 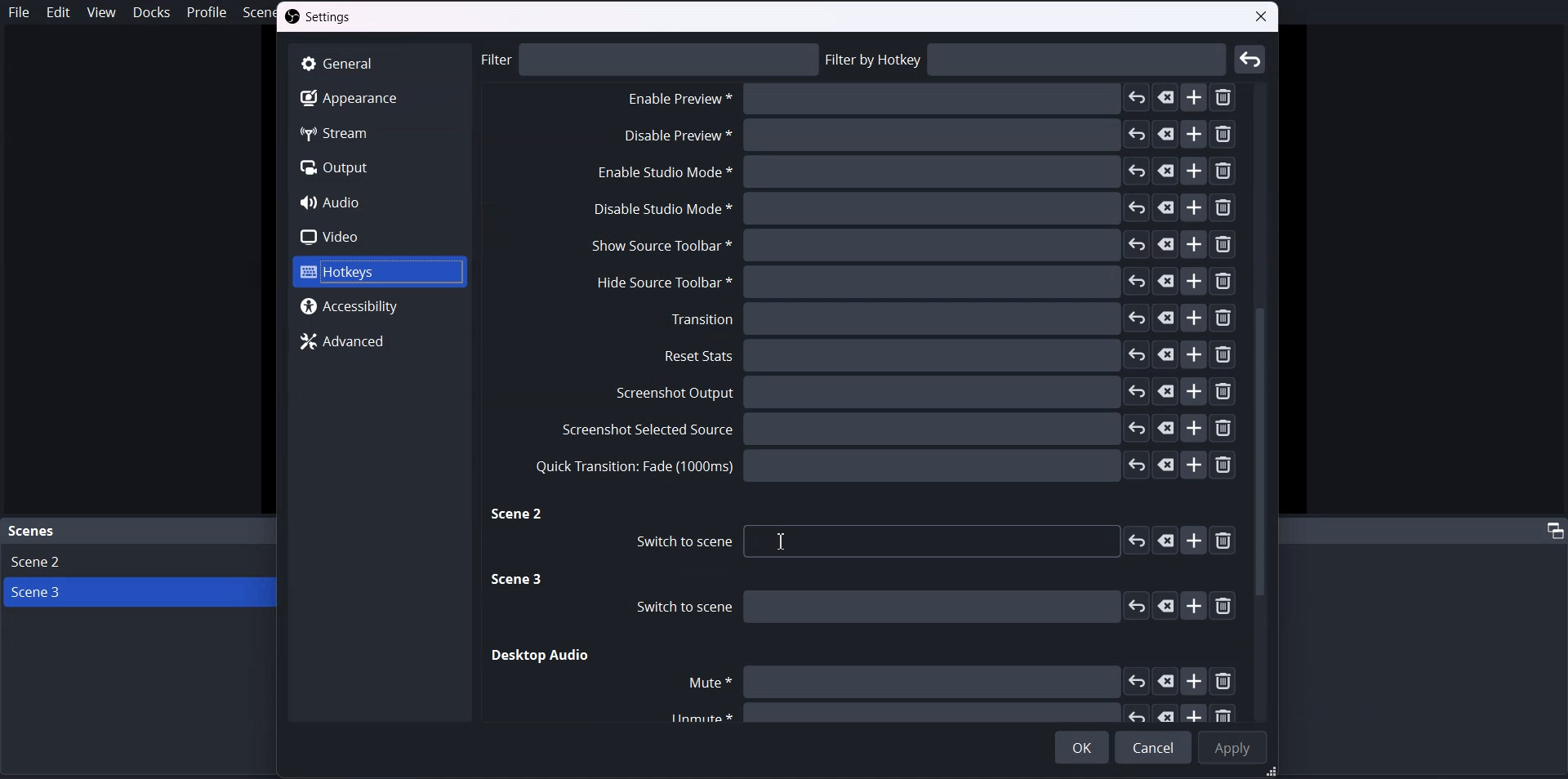 I want to click on Show source toolbar, so click(x=911, y=246).